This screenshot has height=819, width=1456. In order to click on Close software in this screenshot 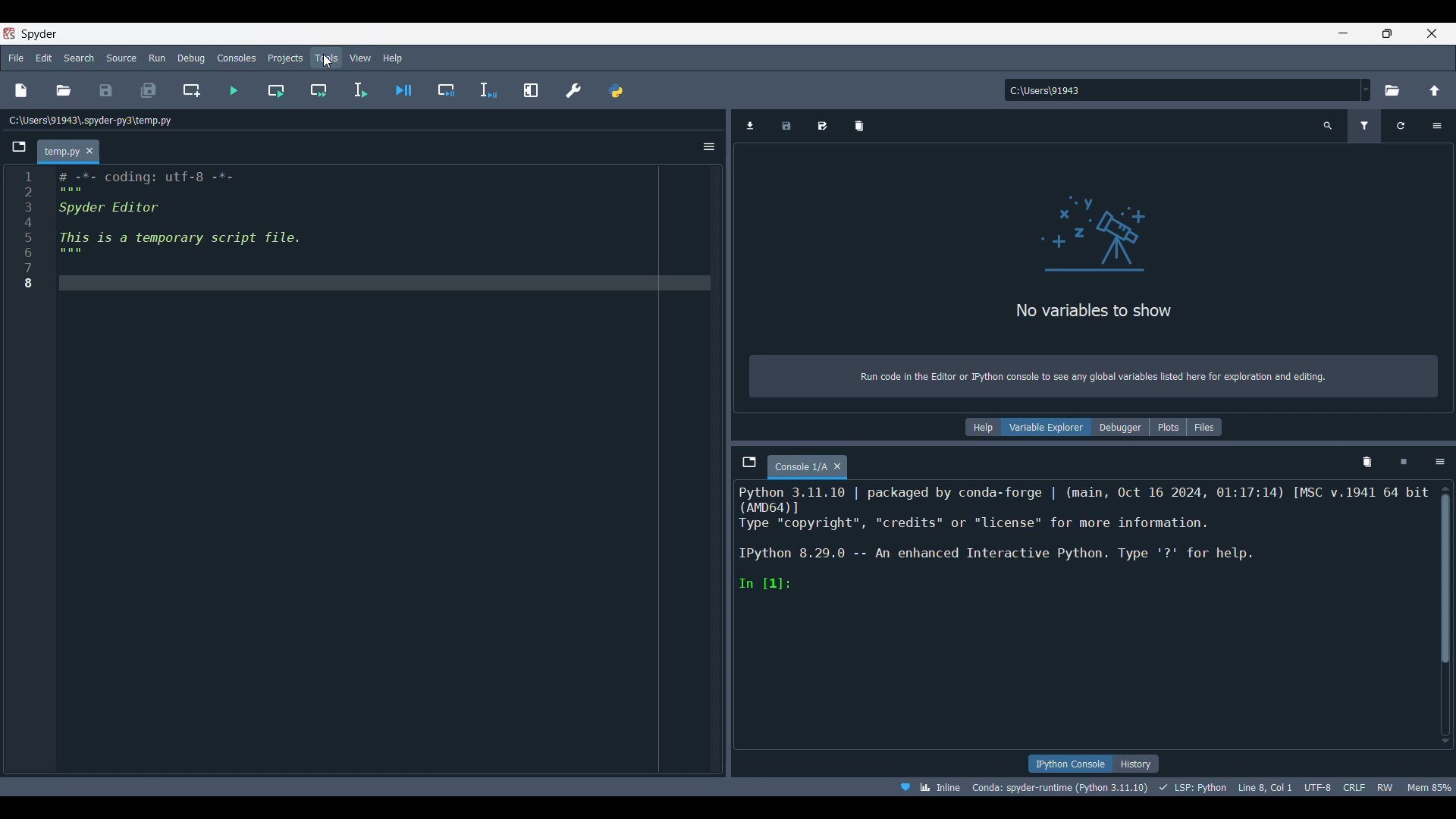, I will do `click(1432, 33)`.